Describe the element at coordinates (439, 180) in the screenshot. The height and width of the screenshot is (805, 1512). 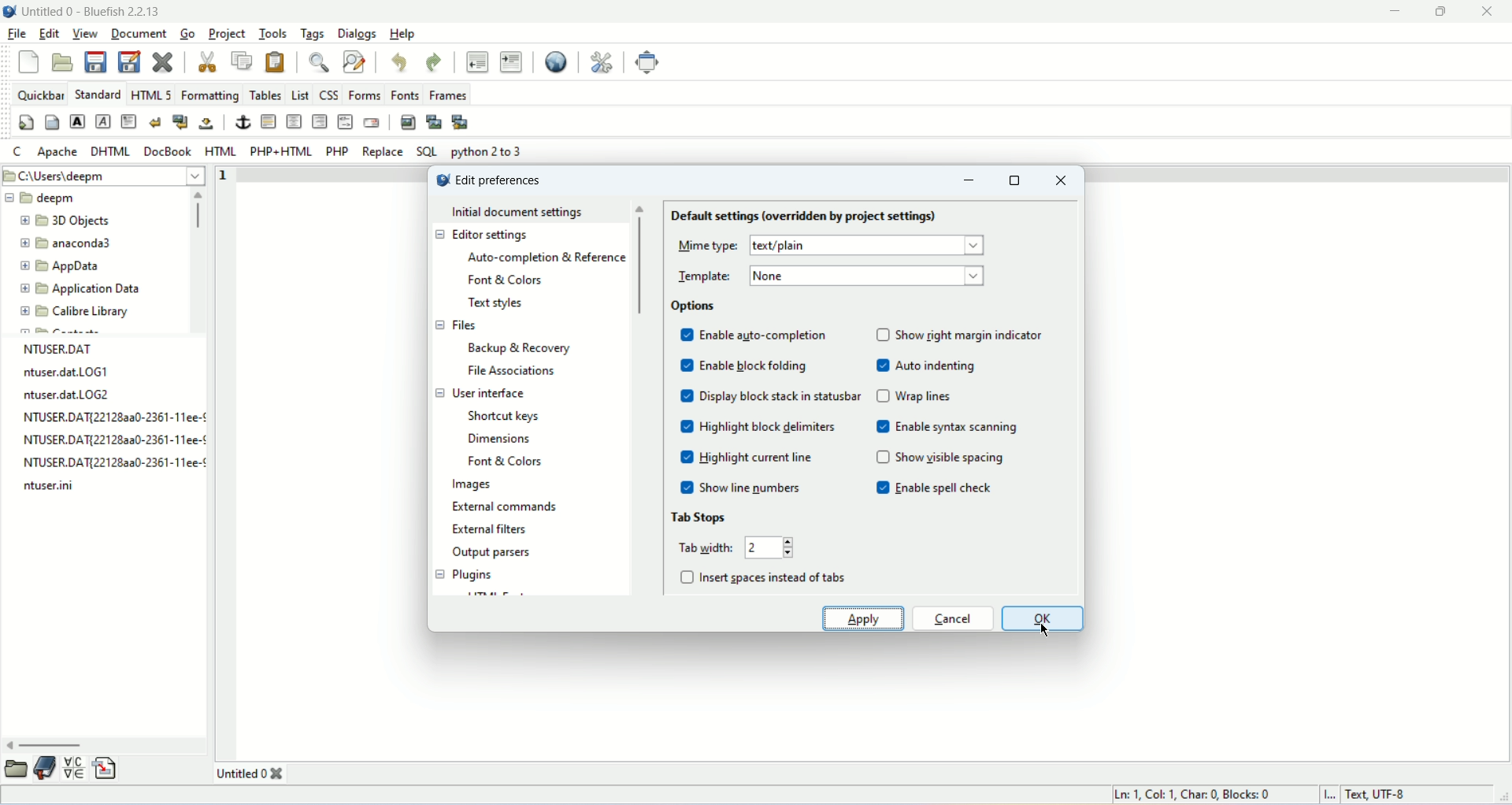
I see `logo` at that location.